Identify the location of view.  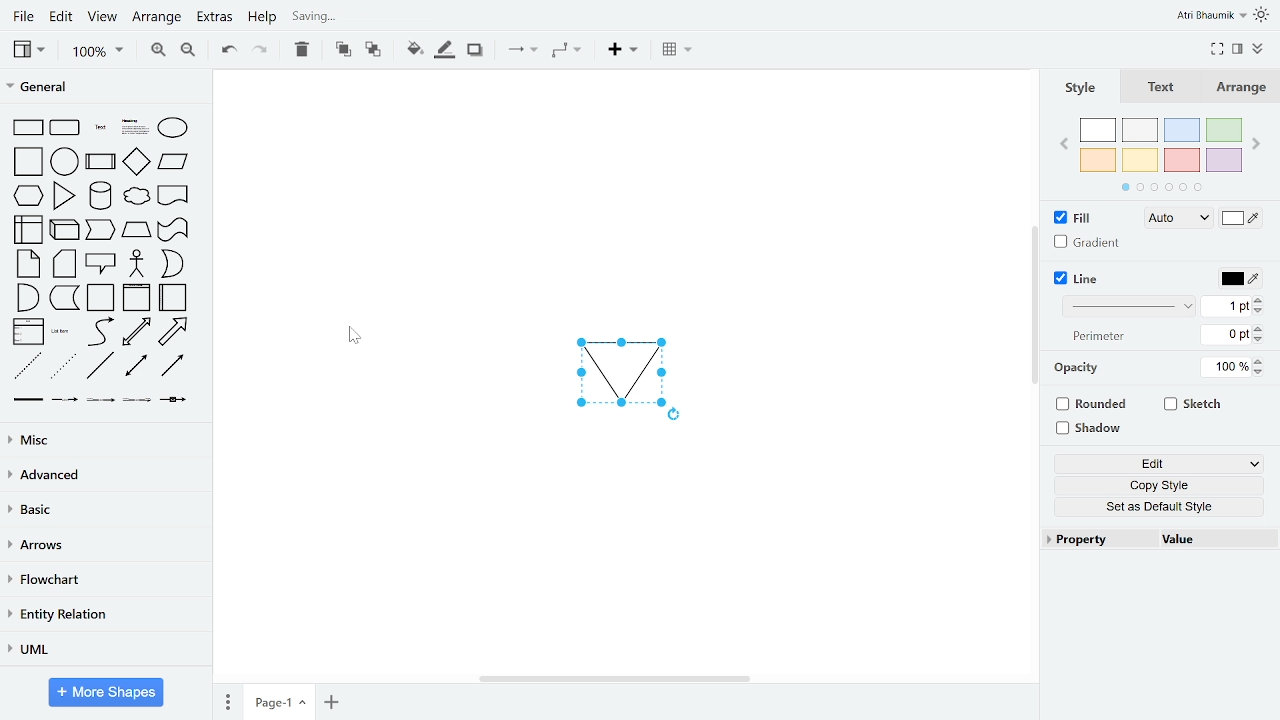
(28, 49).